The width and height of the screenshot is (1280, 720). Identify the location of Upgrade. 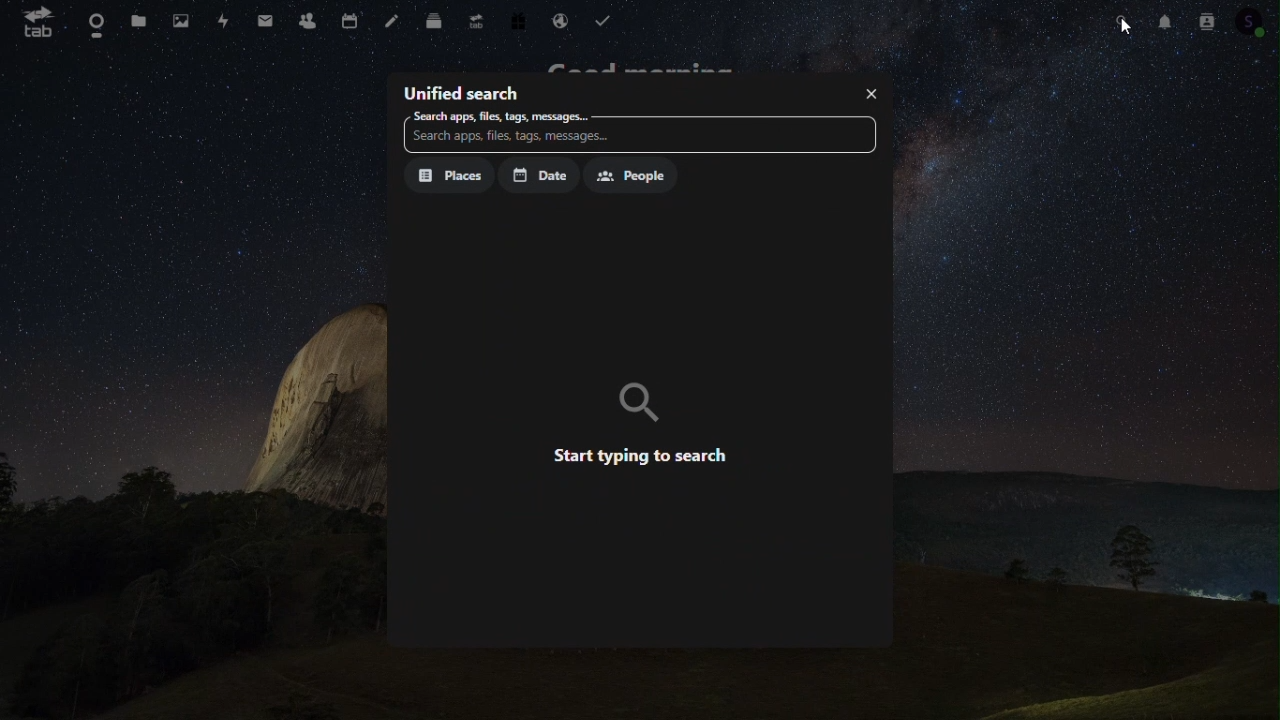
(474, 15).